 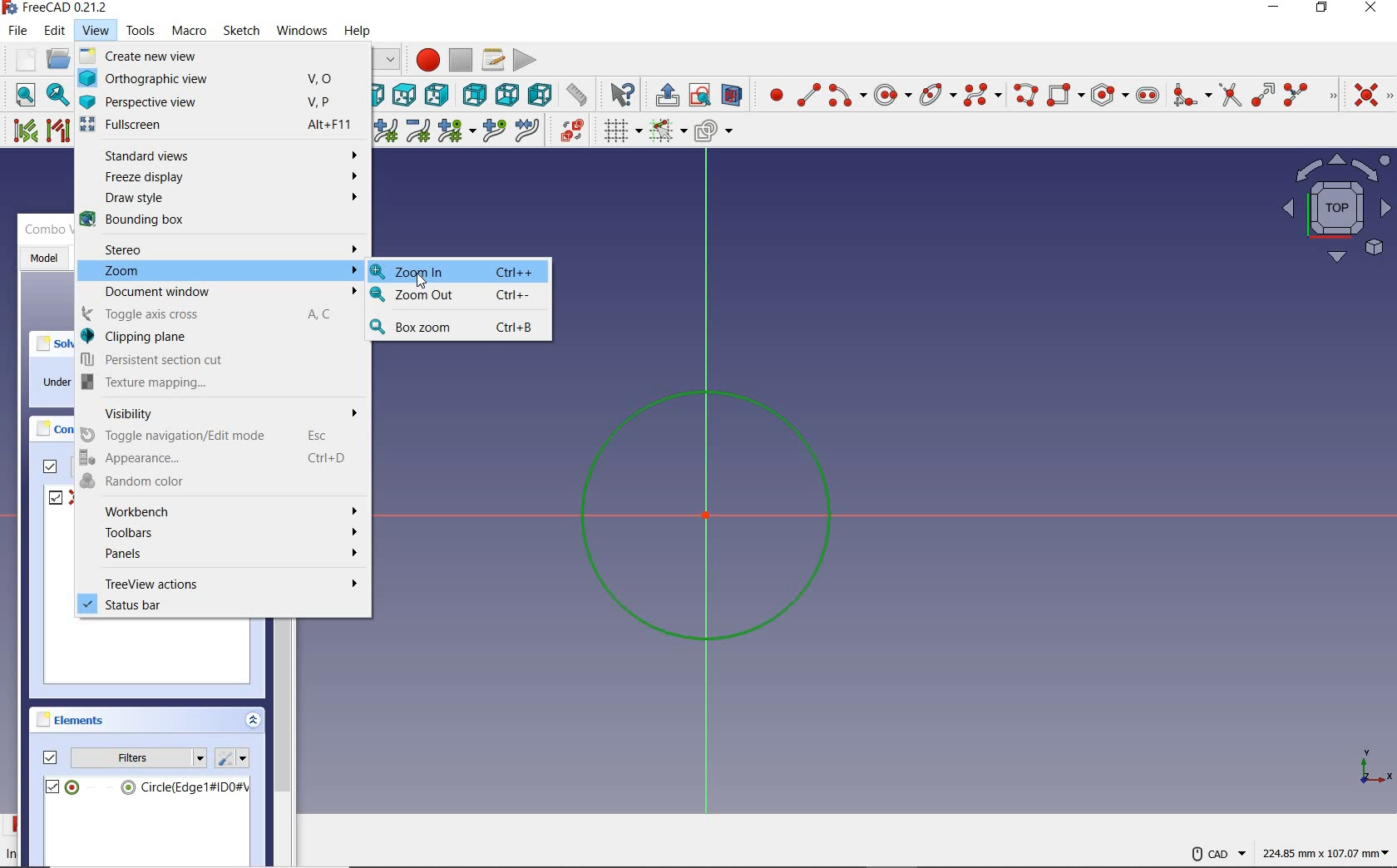 What do you see at coordinates (210, 101) in the screenshot?
I see `Perspective view` at bounding box center [210, 101].